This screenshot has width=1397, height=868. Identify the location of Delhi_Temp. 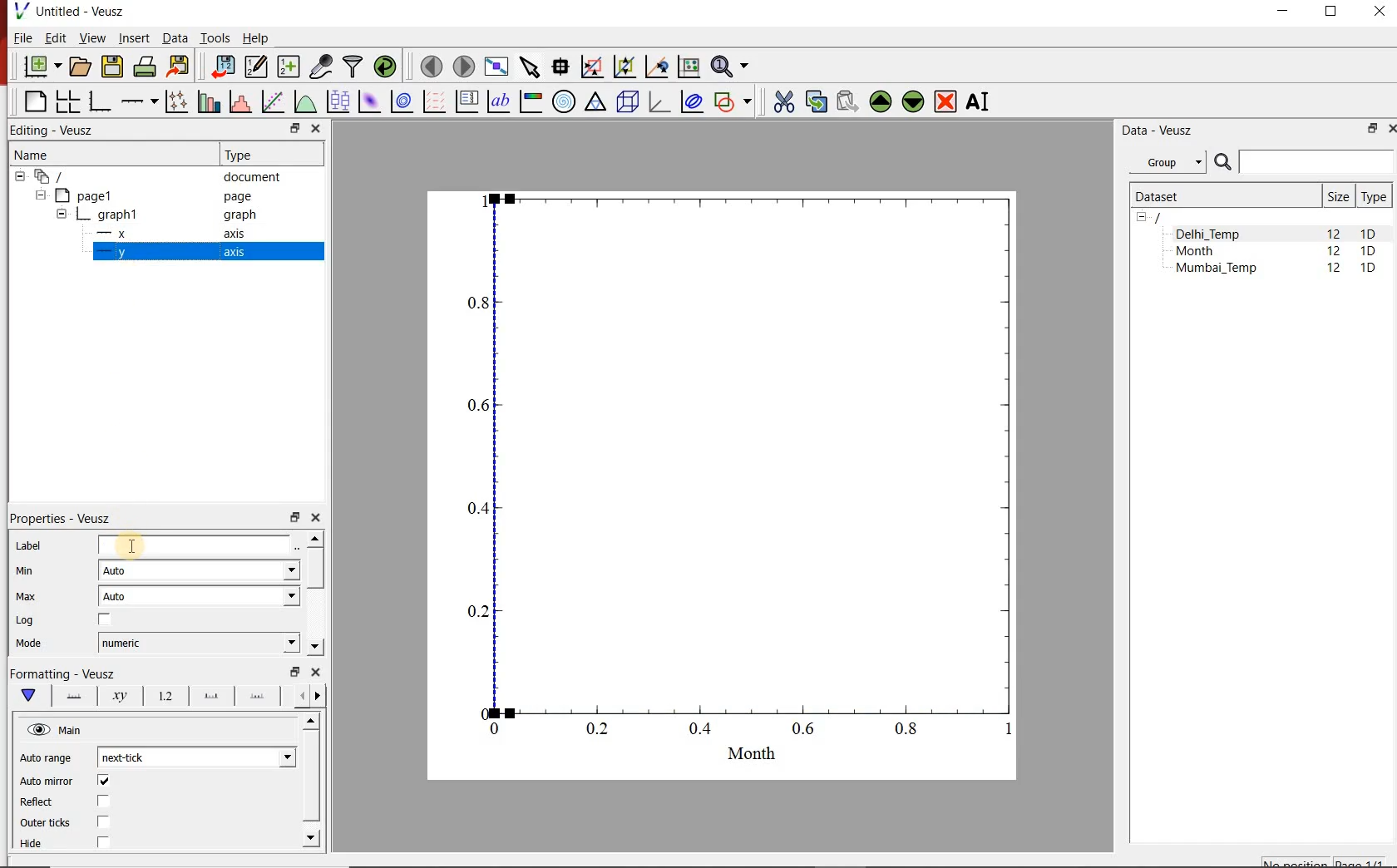
(1211, 234).